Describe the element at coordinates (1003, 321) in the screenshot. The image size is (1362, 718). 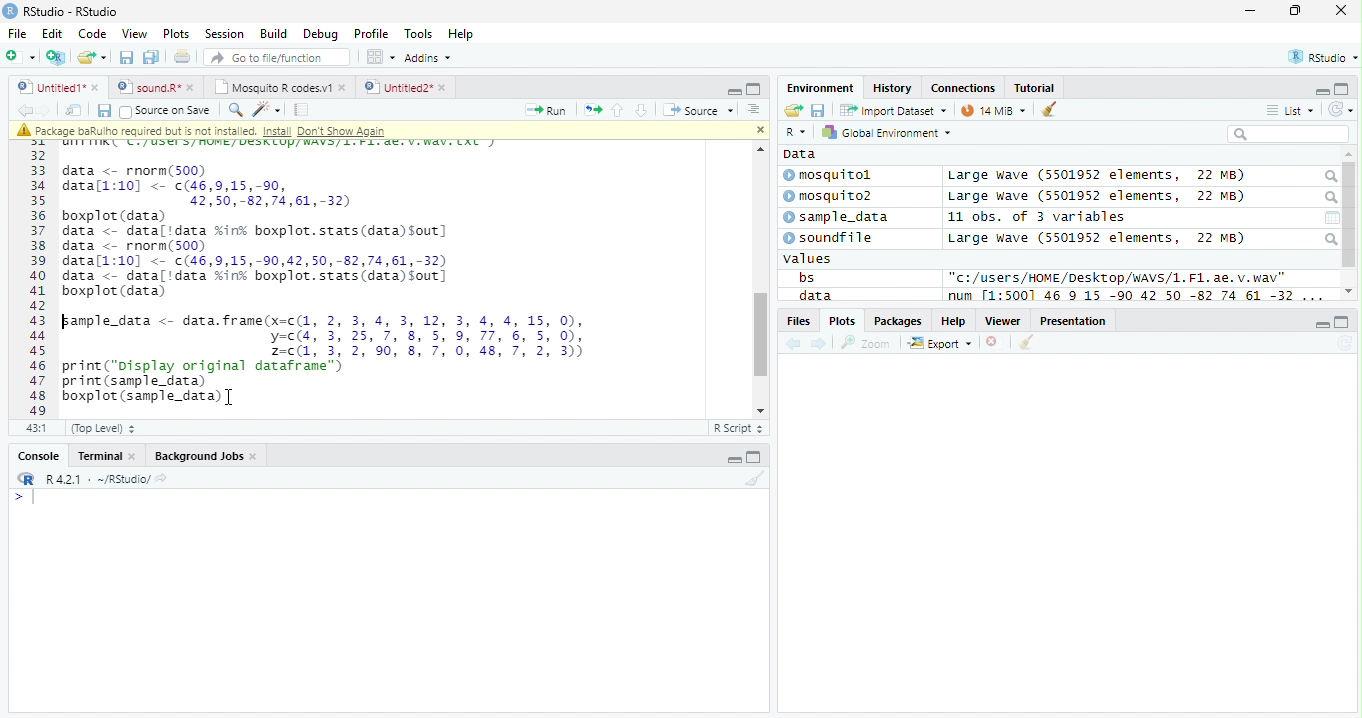
I see `Viewer` at that location.